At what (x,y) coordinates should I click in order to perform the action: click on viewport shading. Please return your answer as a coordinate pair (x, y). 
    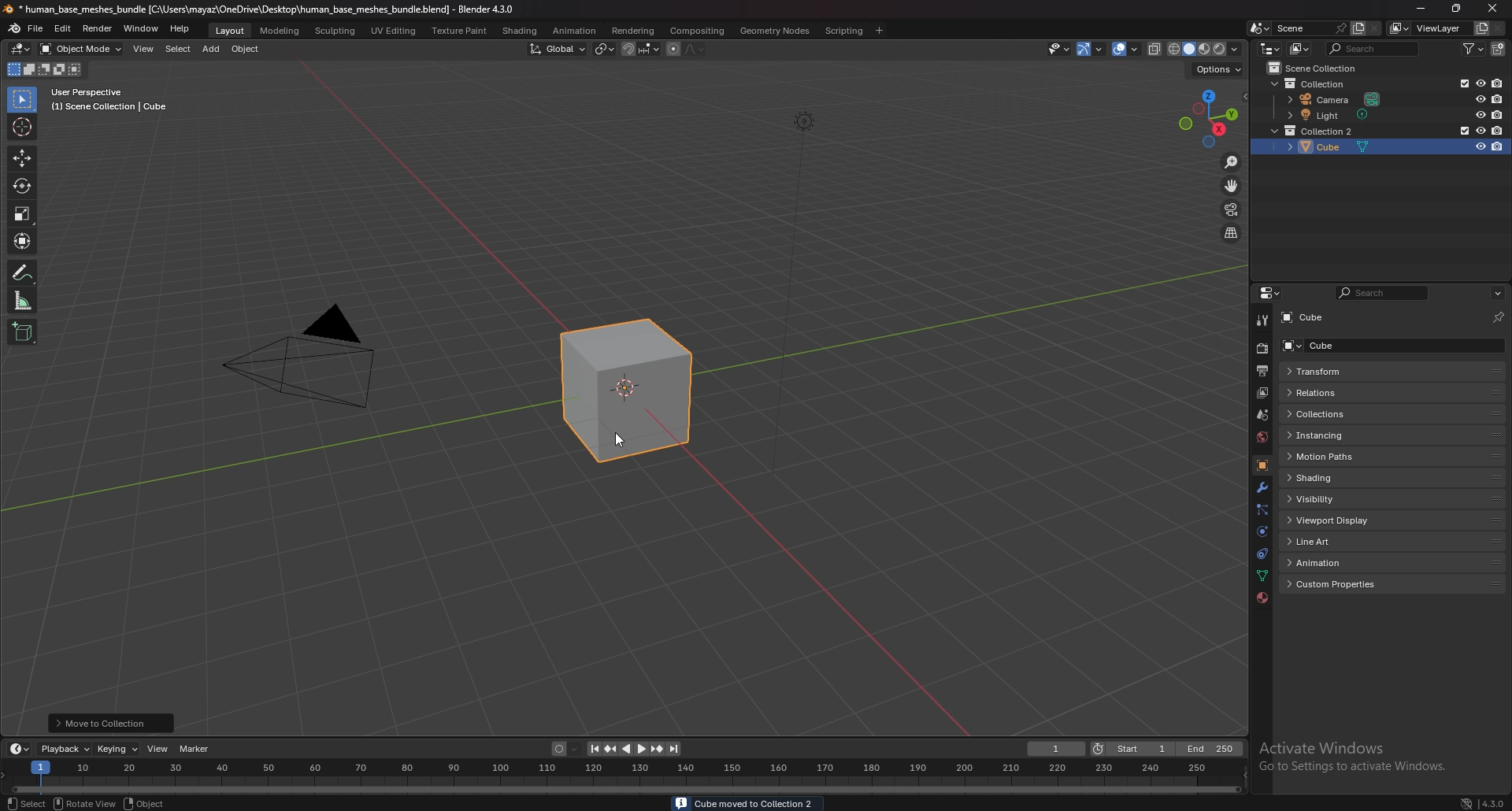
    Looking at the image, I should click on (1196, 48).